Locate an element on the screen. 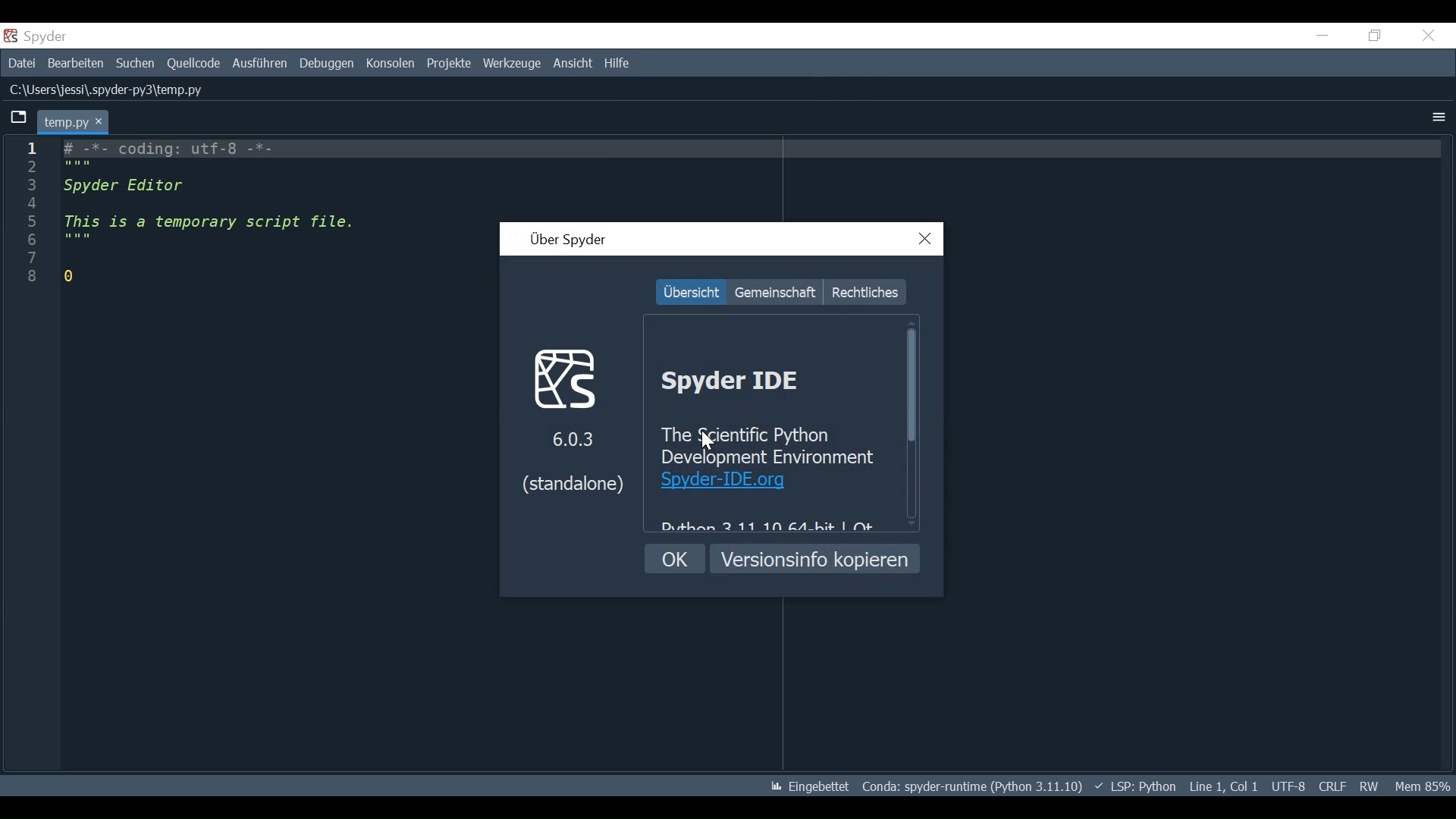 Image resolution: width=1456 pixels, height=819 pixels. Spyder logo is located at coordinates (575, 378).